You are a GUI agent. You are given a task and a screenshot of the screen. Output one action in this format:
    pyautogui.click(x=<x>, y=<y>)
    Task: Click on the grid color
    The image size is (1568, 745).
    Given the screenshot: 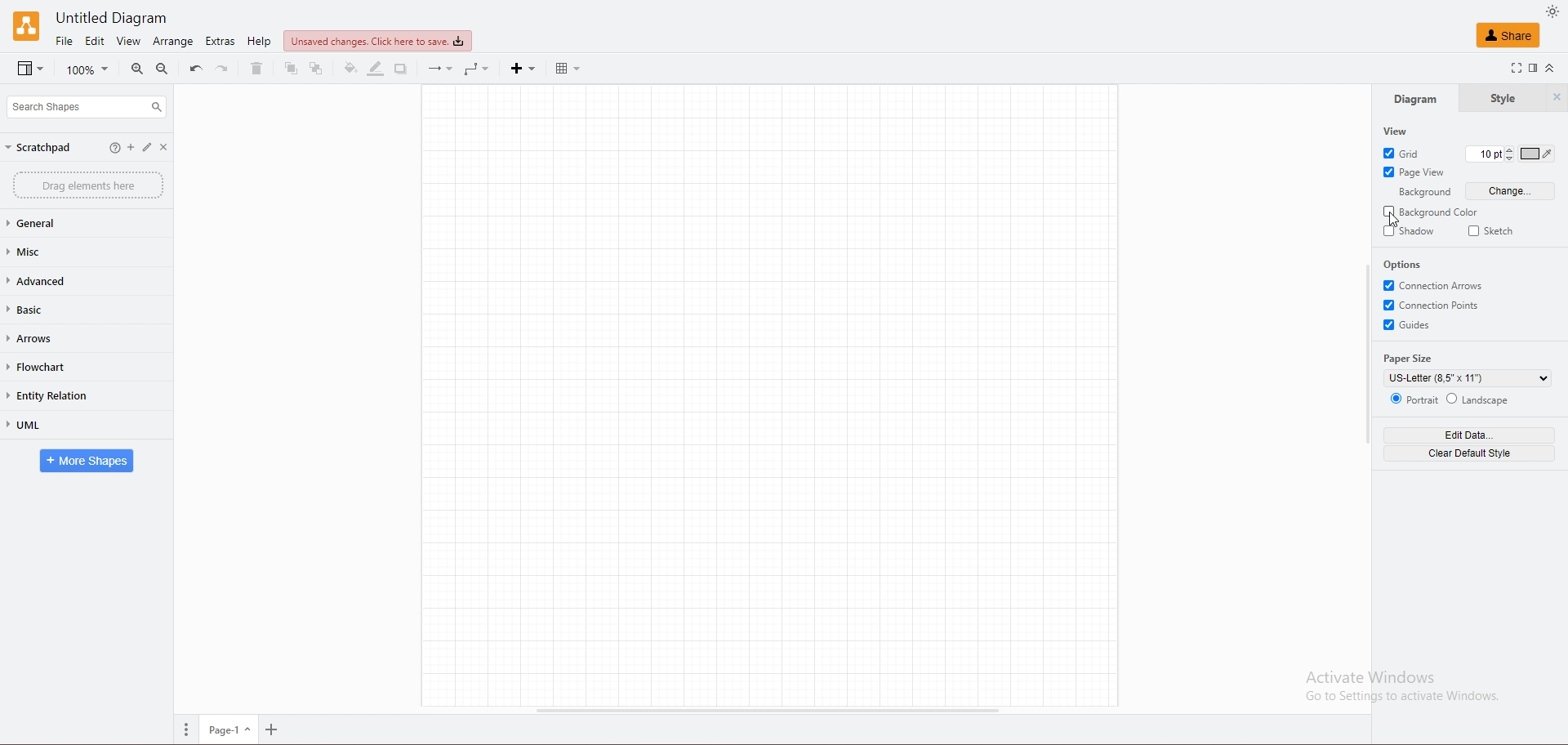 What is the action you would take?
    pyautogui.click(x=1543, y=154)
    